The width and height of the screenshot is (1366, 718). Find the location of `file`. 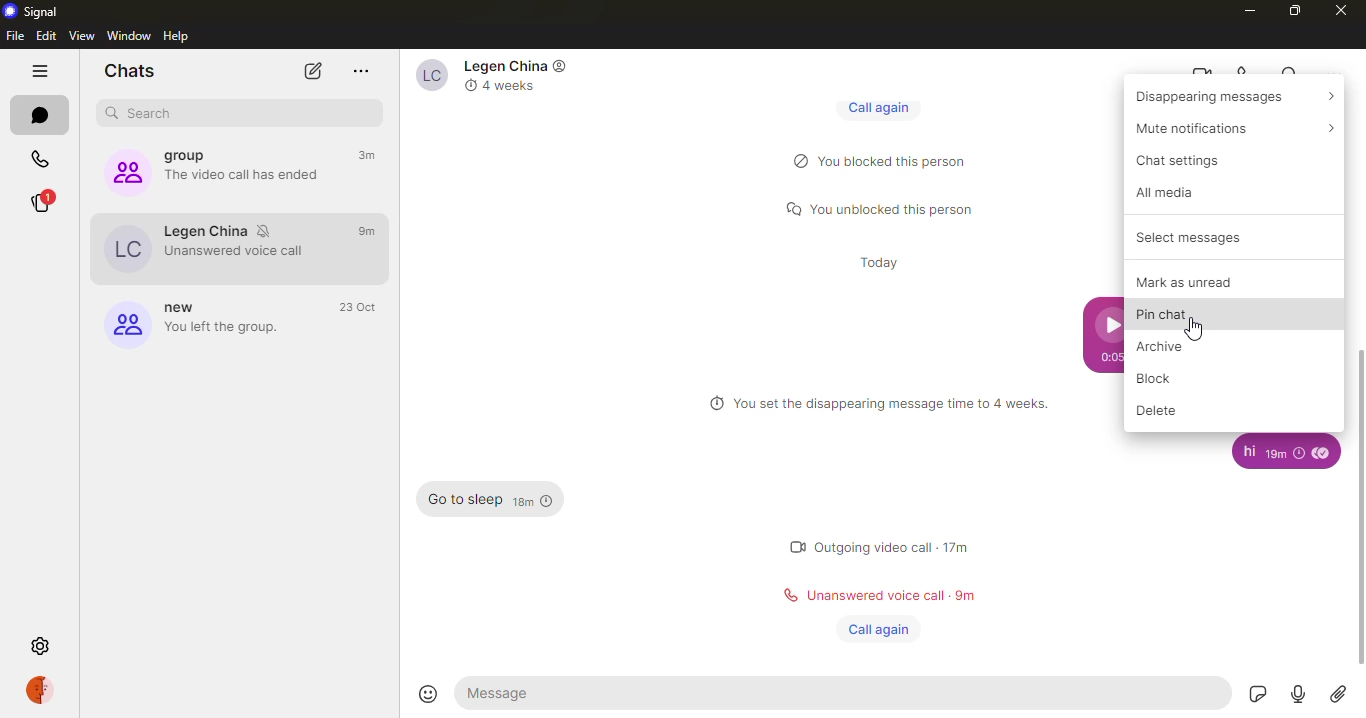

file is located at coordinates (15, 35).